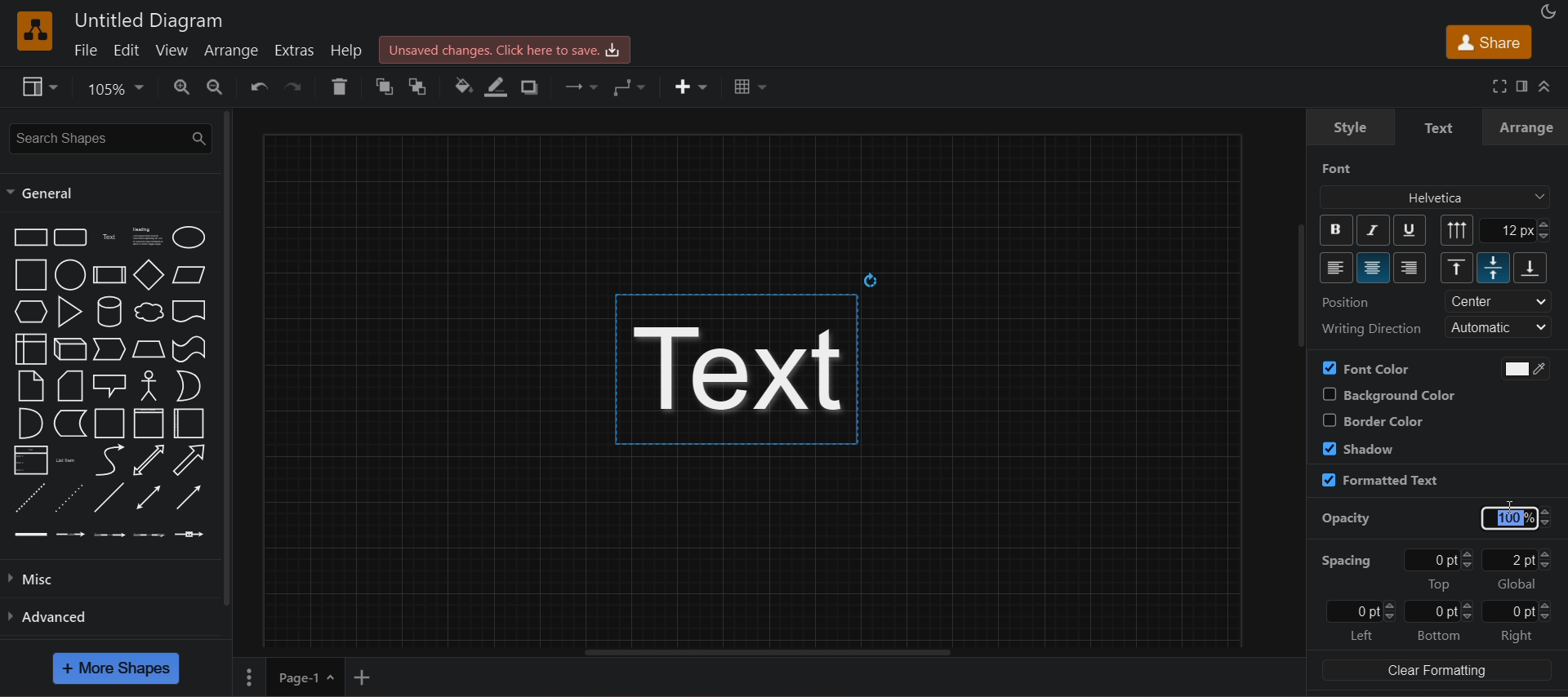 The image size is (1568, 697). I want to click on actor, so click(151, 386).